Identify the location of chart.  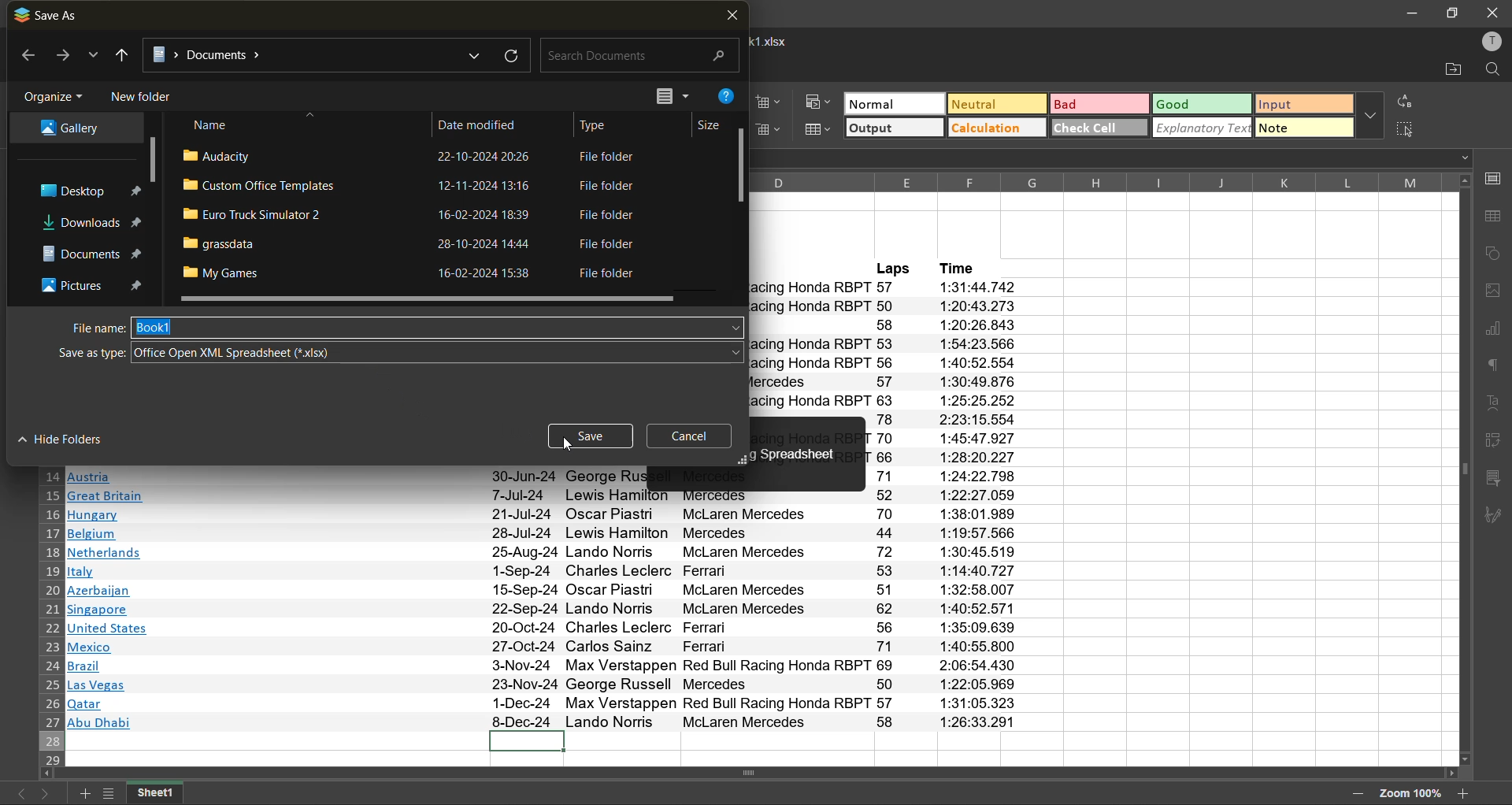
(1496, 327).